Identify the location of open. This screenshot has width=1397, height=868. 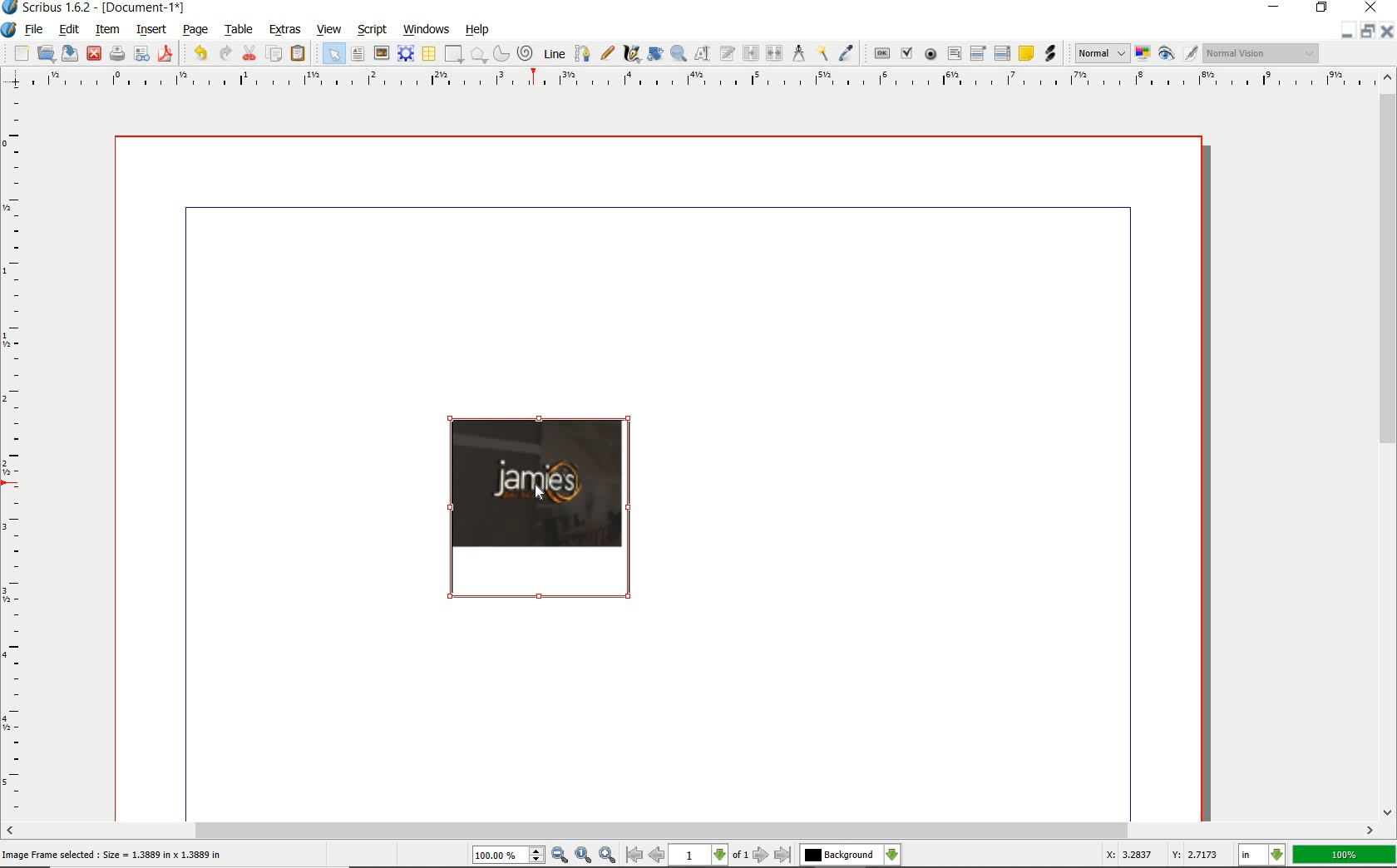
(46, 53).